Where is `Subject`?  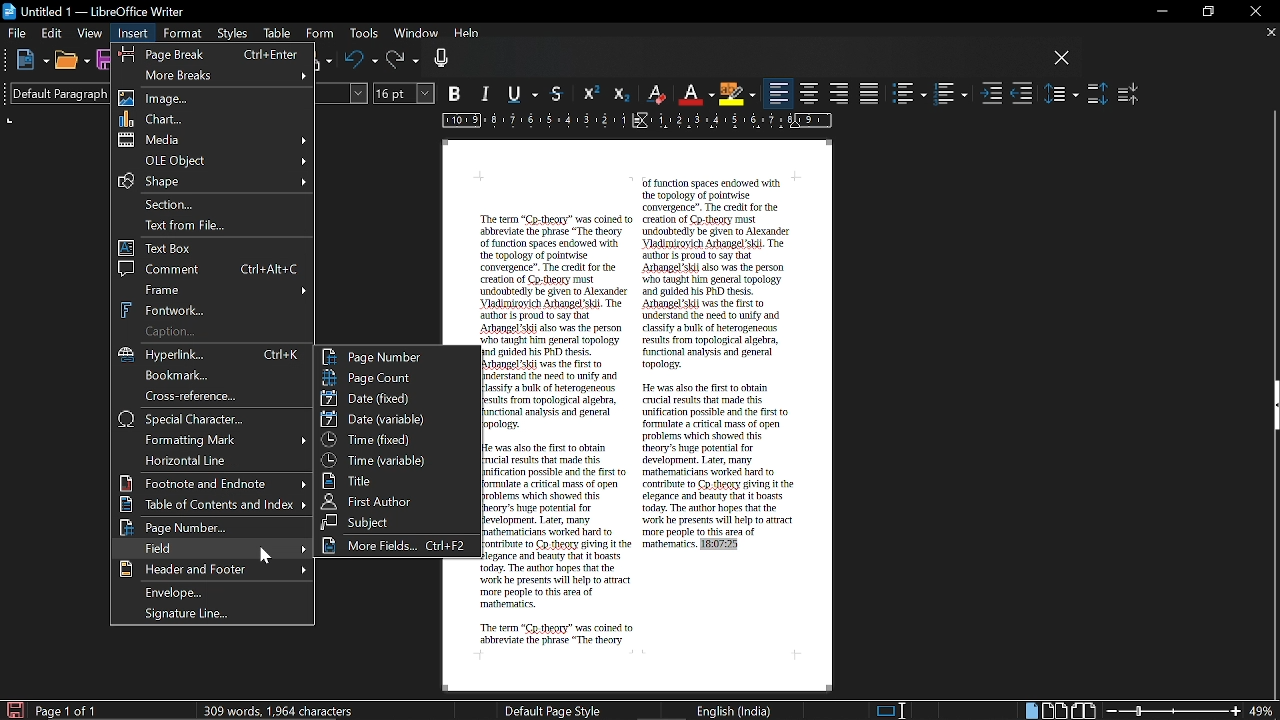 Subject is located at coordinates (395, 522).